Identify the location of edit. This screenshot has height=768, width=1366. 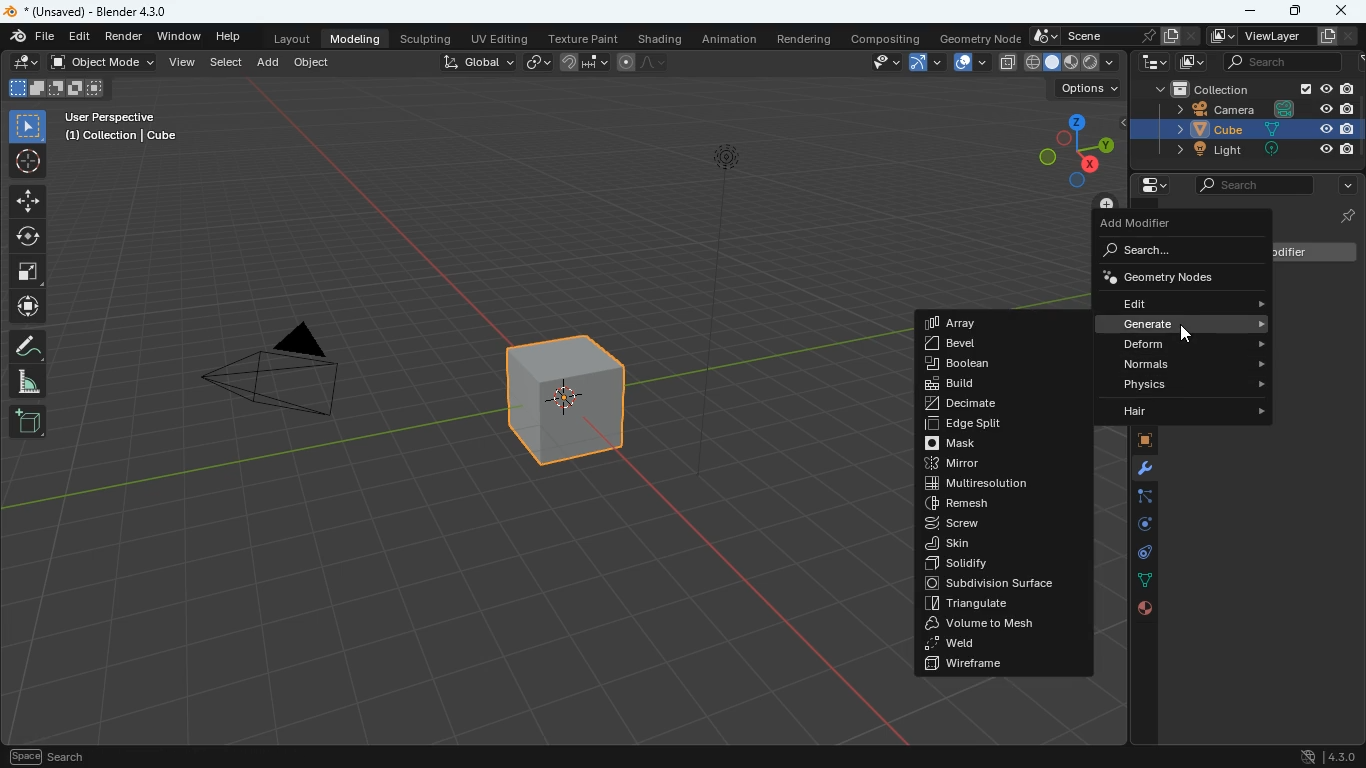
(82, 37).